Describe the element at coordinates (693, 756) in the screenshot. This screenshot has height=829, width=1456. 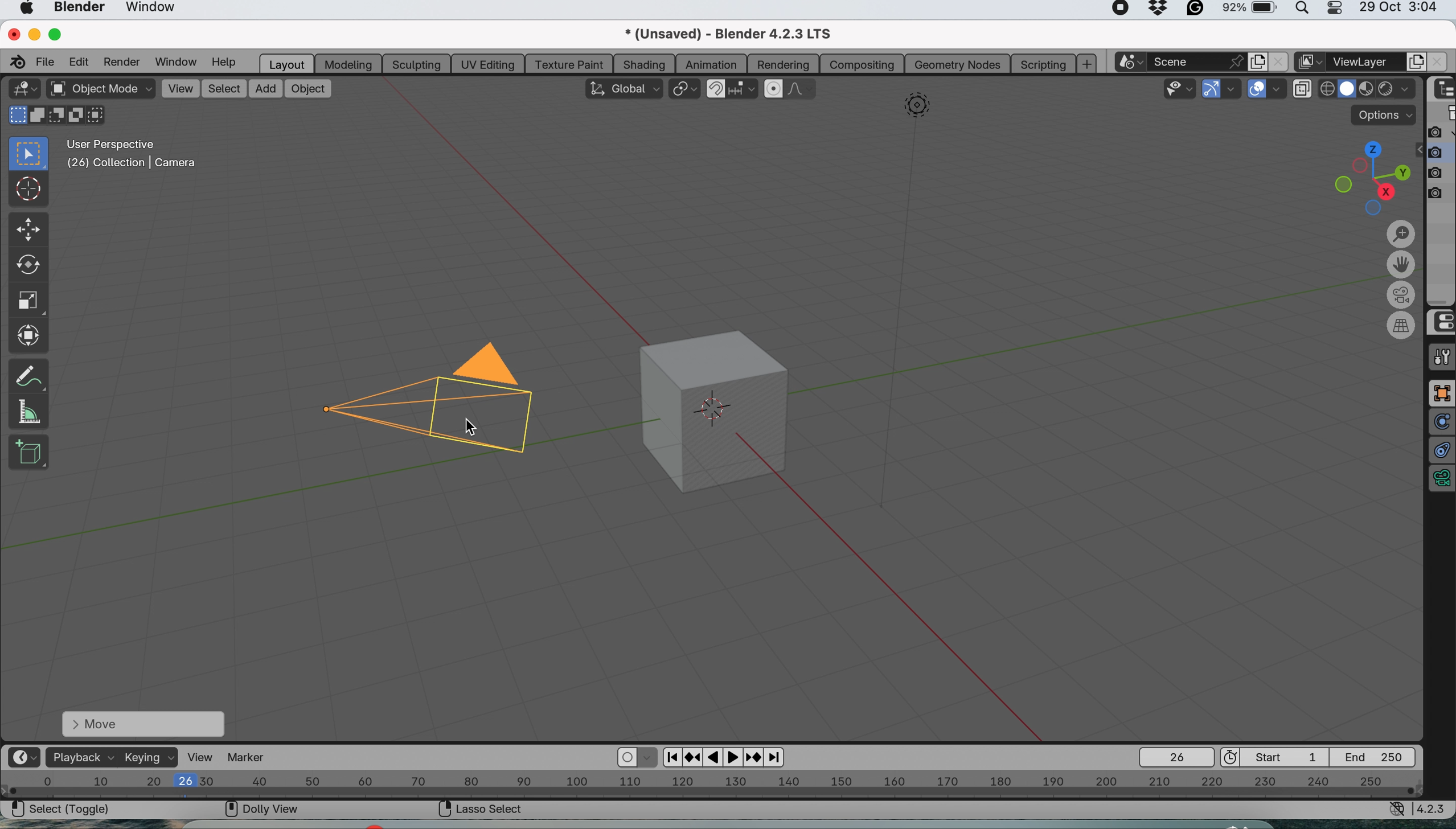
I see `reverse` at that location.